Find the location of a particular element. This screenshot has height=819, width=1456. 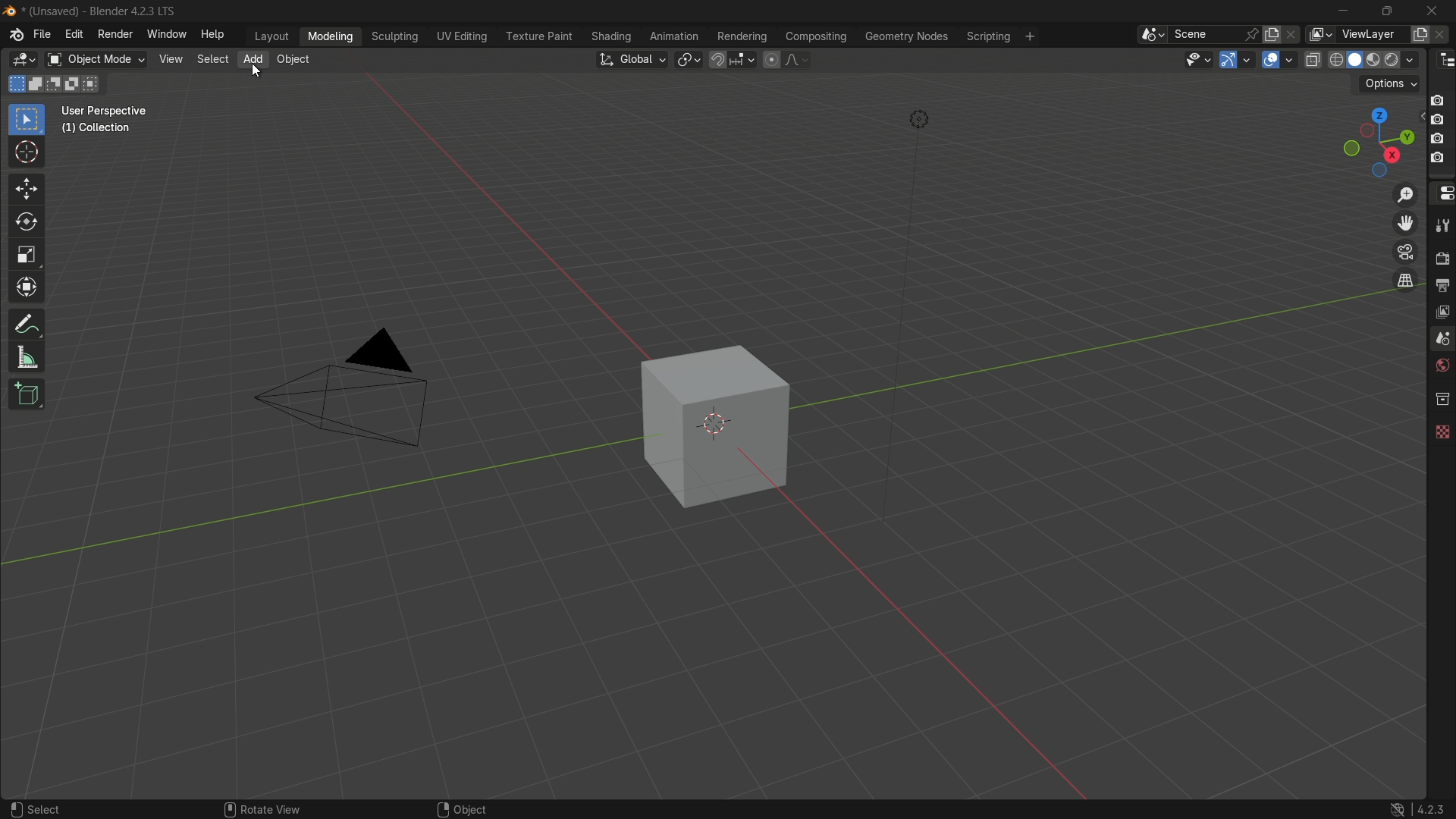

add cube is located at coordinates (31, 394).